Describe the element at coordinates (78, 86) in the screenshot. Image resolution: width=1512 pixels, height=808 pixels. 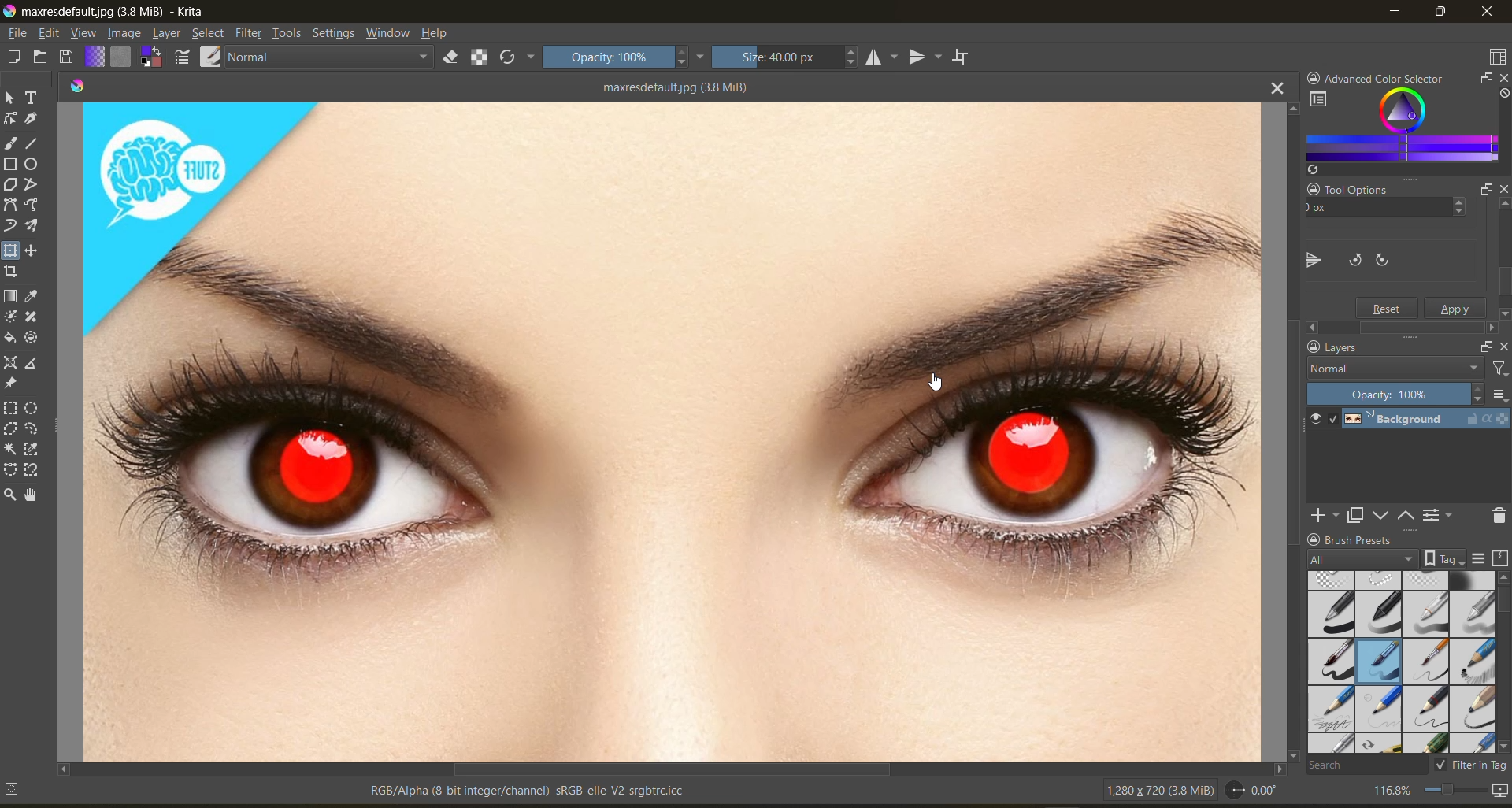
I see `colors` at that location.